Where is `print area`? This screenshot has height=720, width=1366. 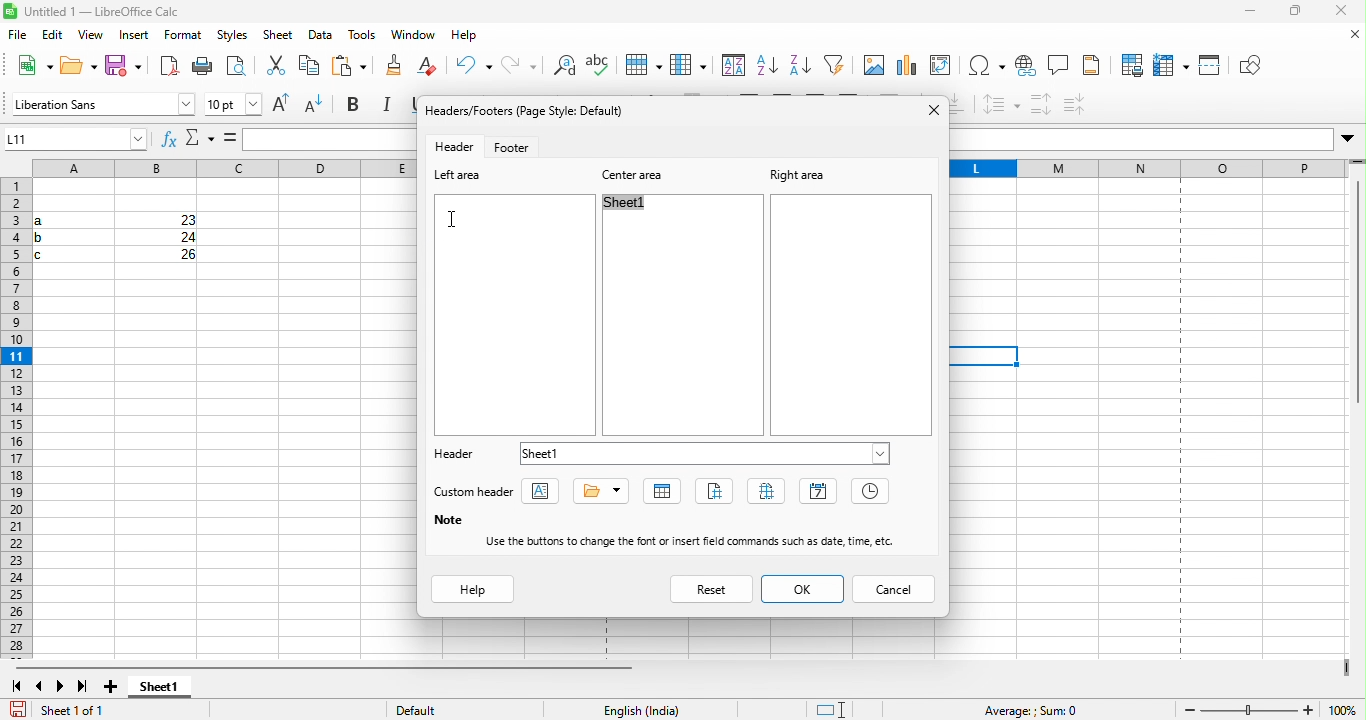
print area is located at coordinates (1126, 66).